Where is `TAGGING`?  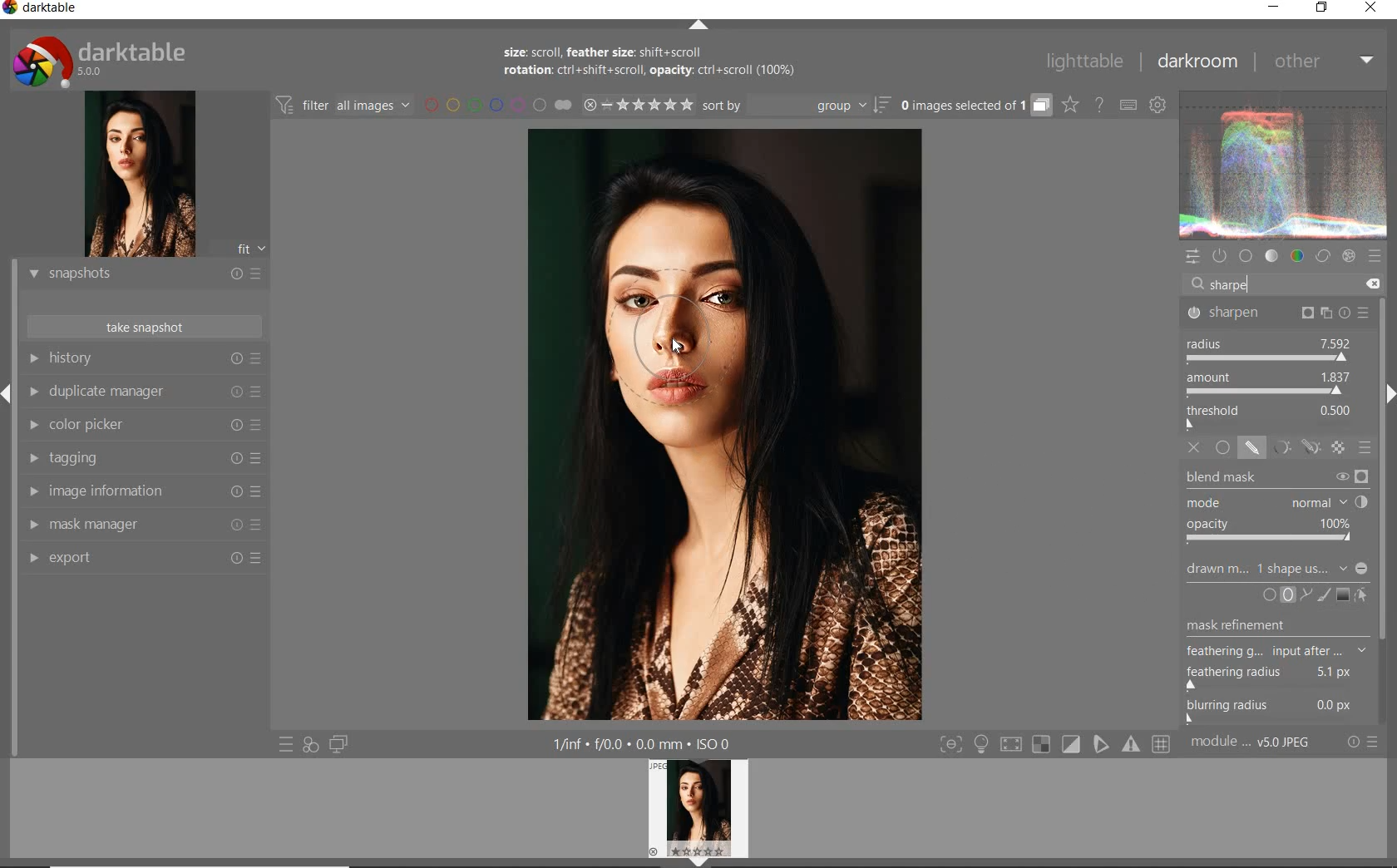 TAGGING is located at coordinates (141, 459).